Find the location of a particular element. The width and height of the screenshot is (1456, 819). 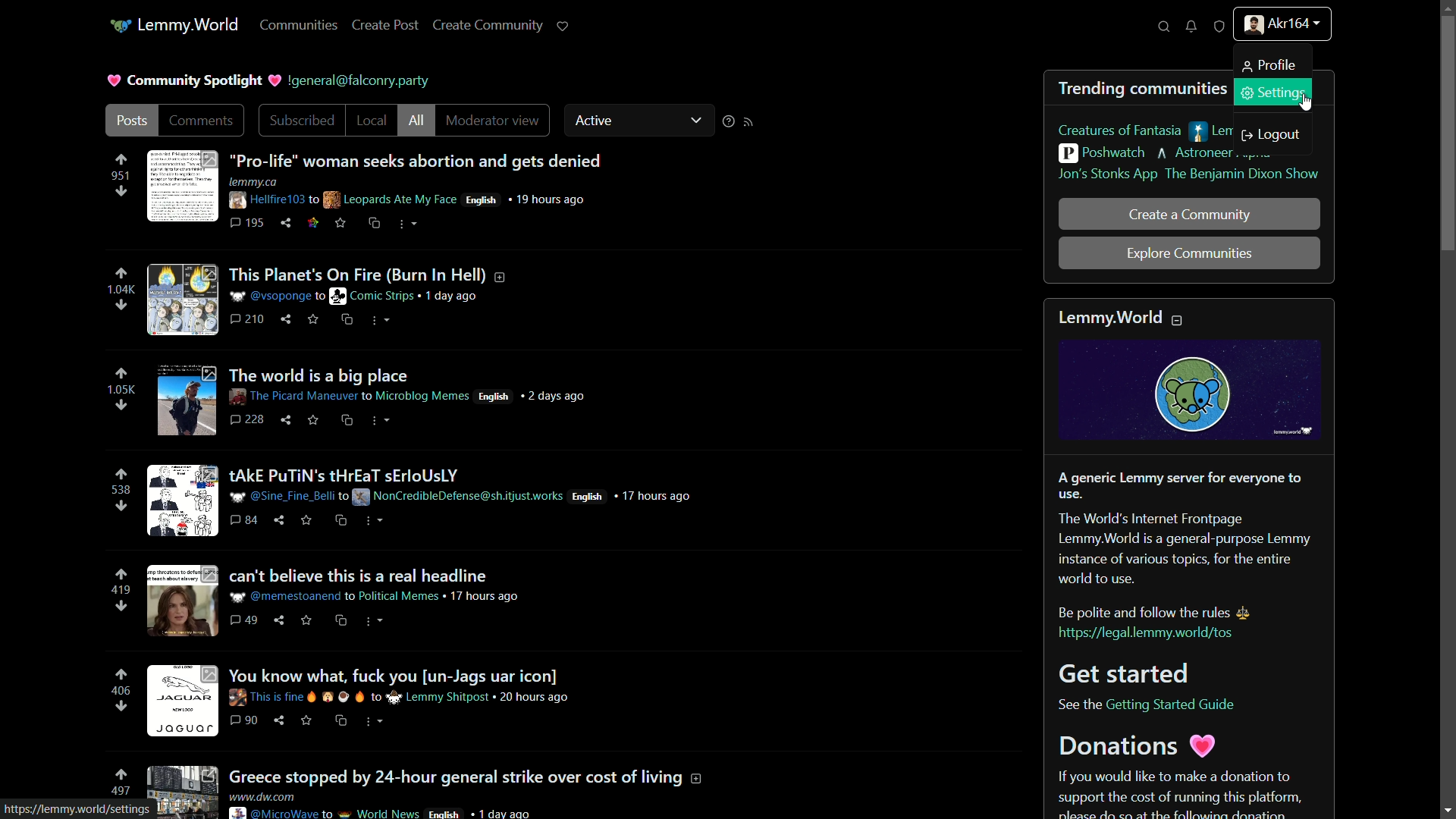

communities is located at coordinates (301, 25).